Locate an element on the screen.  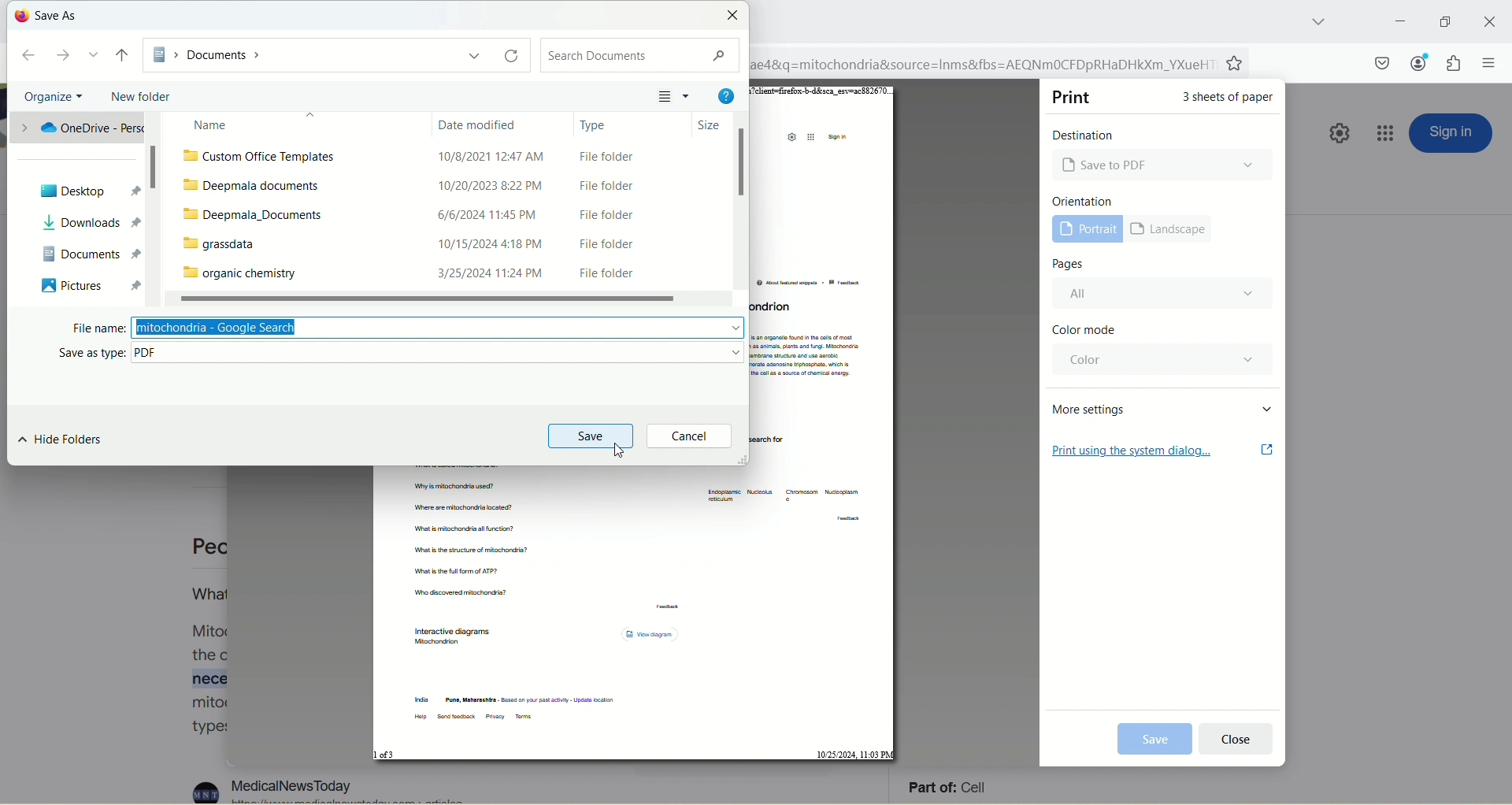
favorites  is located at coordinates (1237, 65).